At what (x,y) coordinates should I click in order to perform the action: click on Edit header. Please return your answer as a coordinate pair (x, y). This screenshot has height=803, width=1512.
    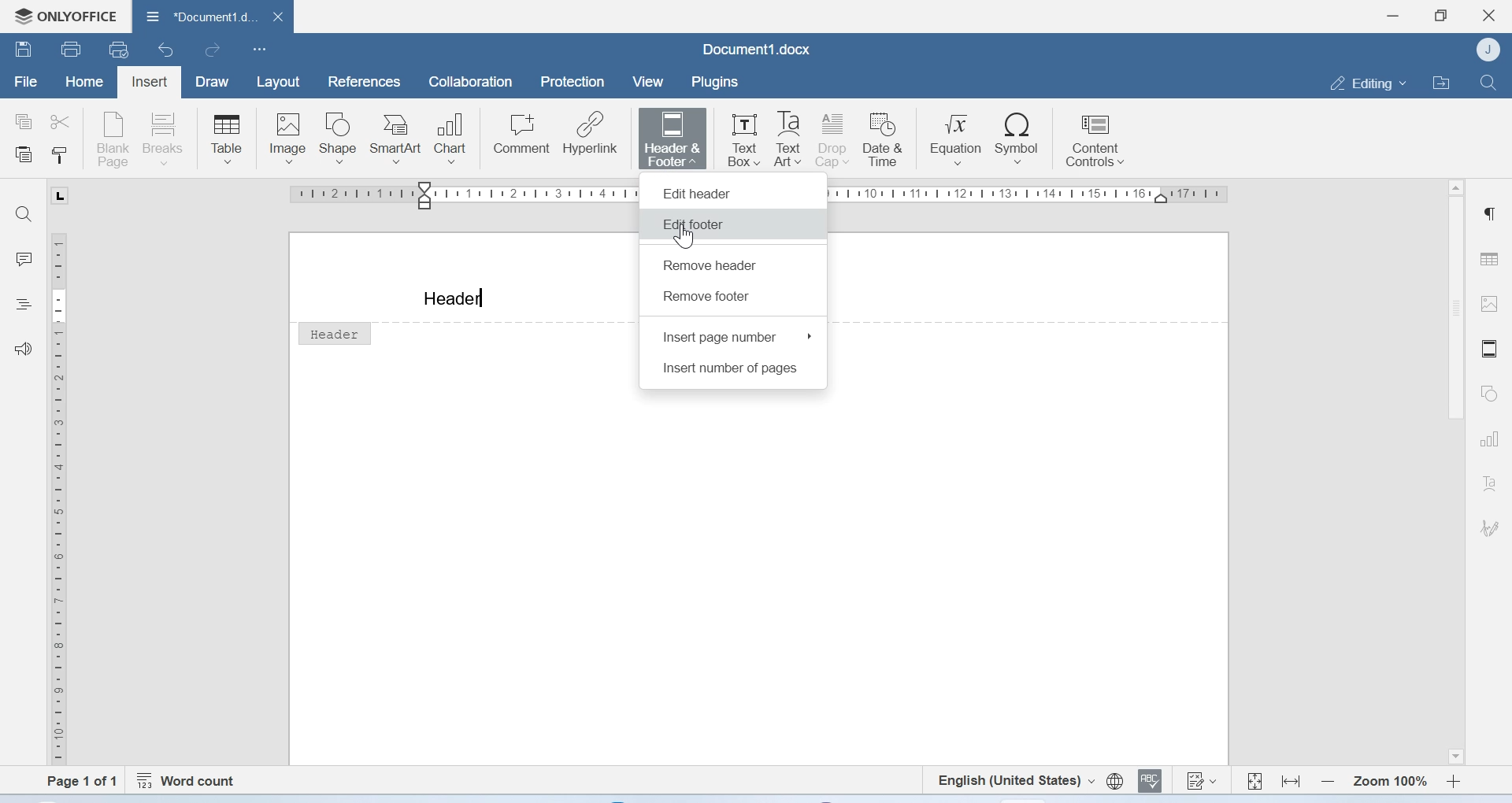
    Looking at the image, I should click on (735, 190).